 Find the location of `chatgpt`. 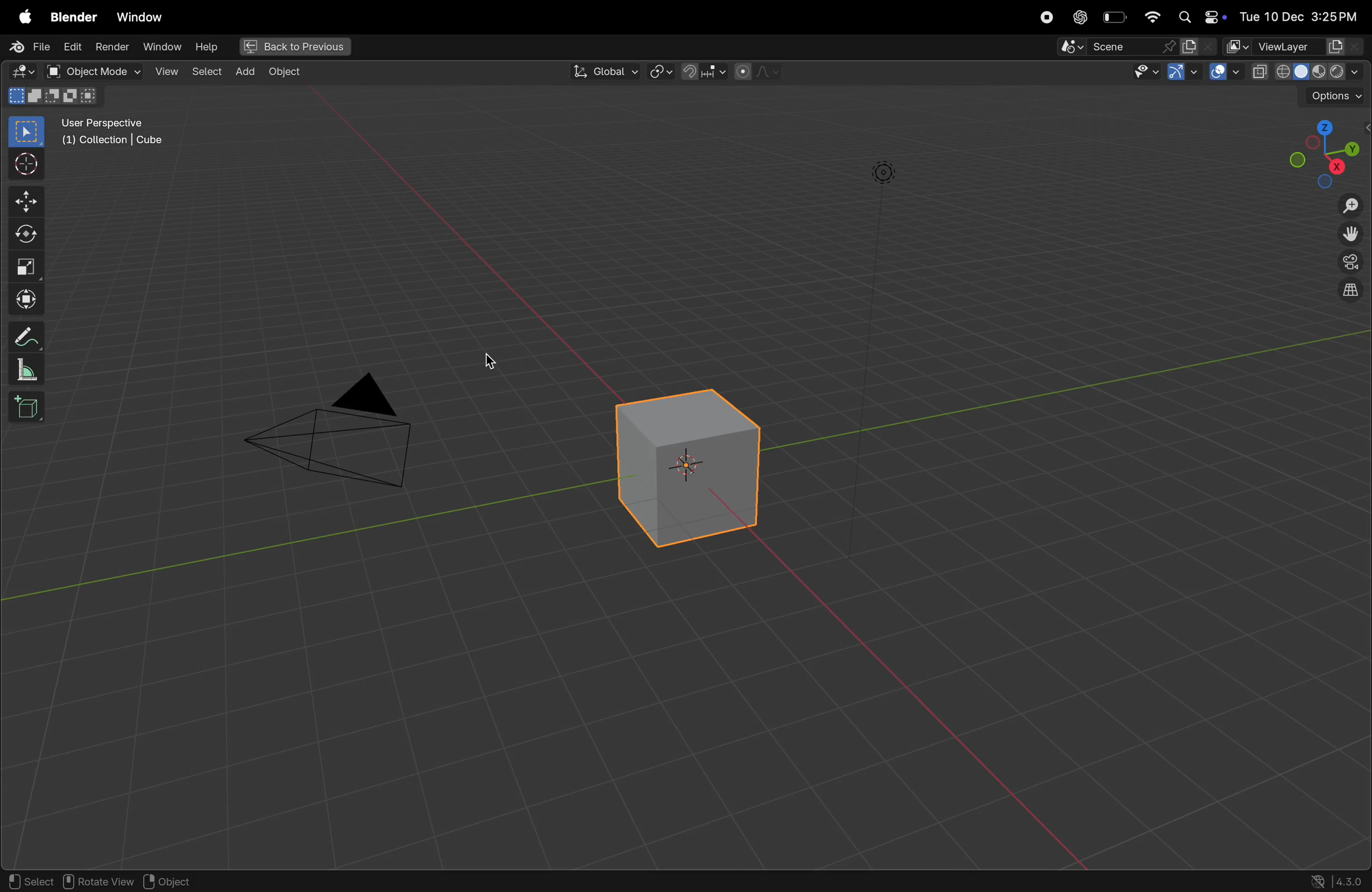

chatgpt is located at coordinates (1080, 17).